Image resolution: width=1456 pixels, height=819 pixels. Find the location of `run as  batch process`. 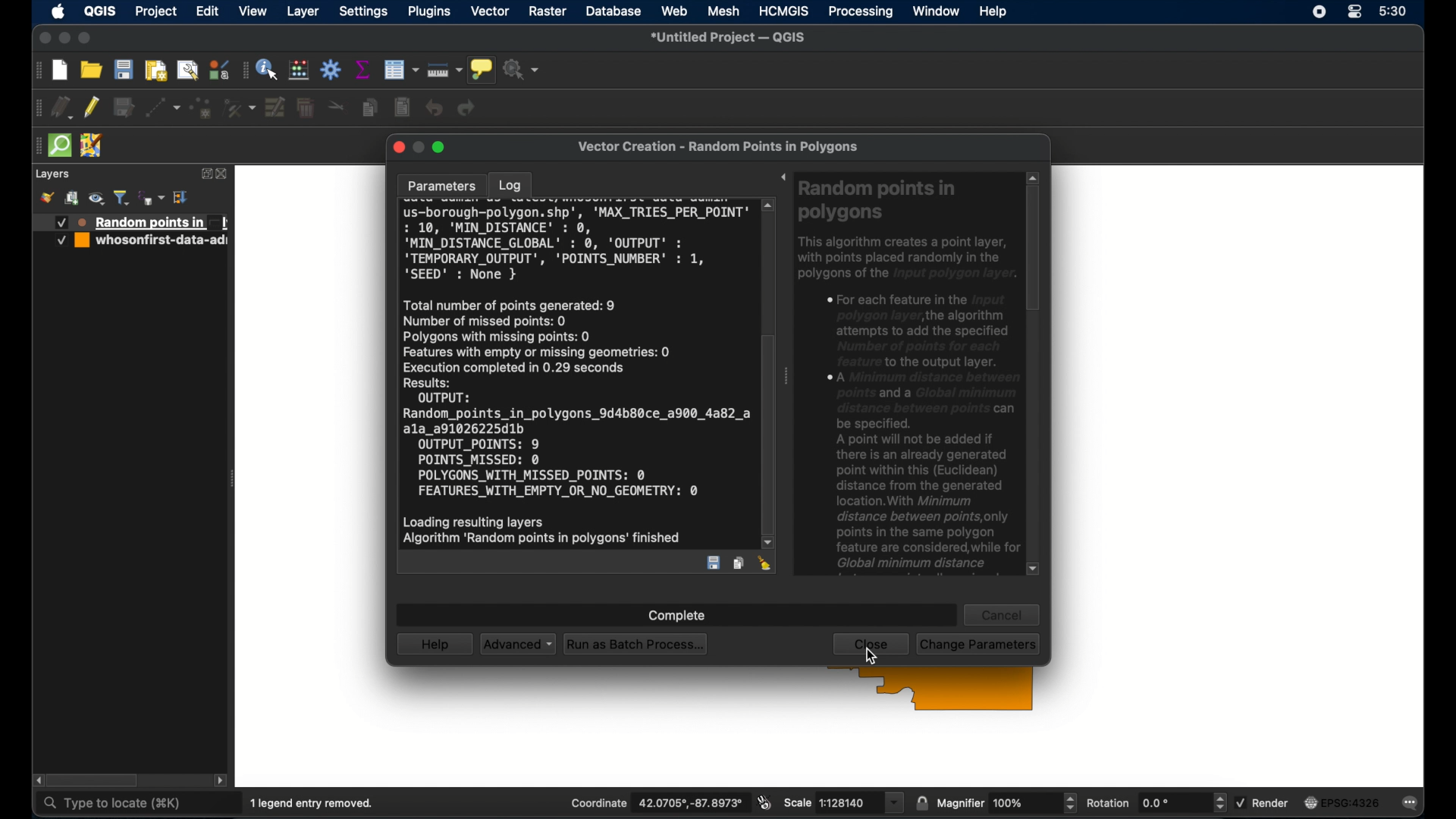

run as  batch process is located at coordinates (637, 645).